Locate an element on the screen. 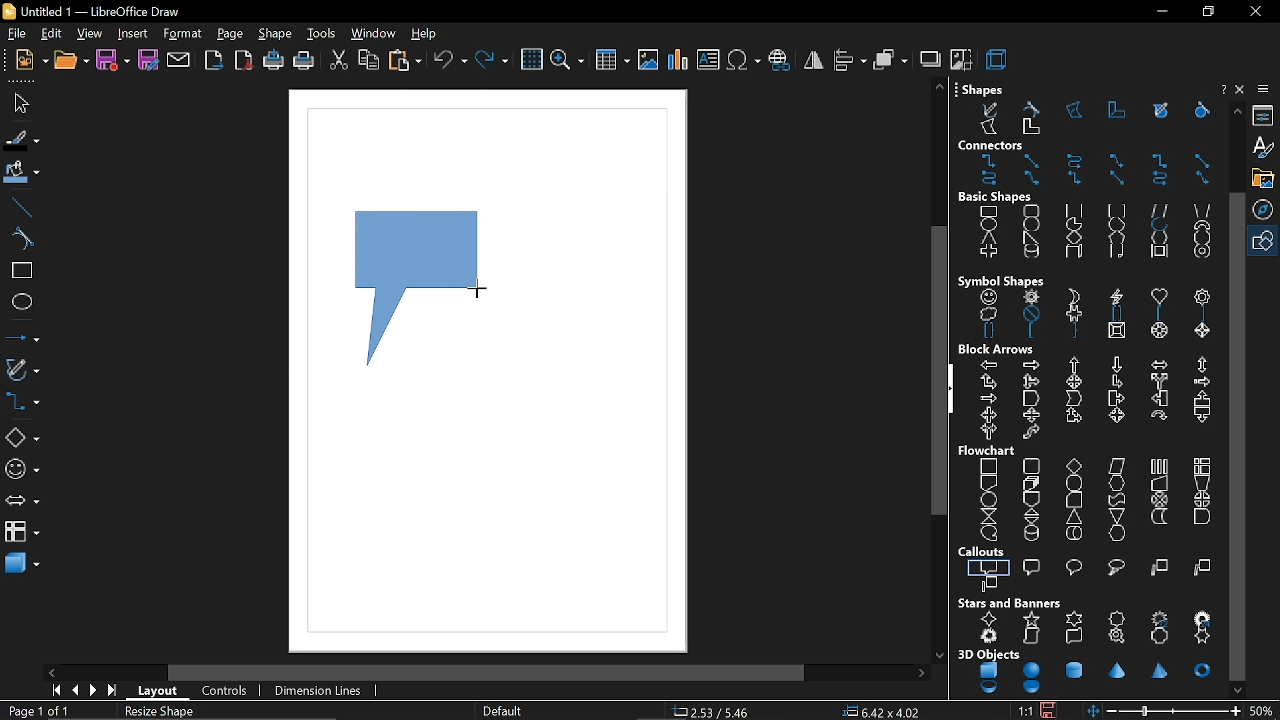 The height and width of the screenshot is (720, 1280). pentagon is located at coordinates (1116, 238).